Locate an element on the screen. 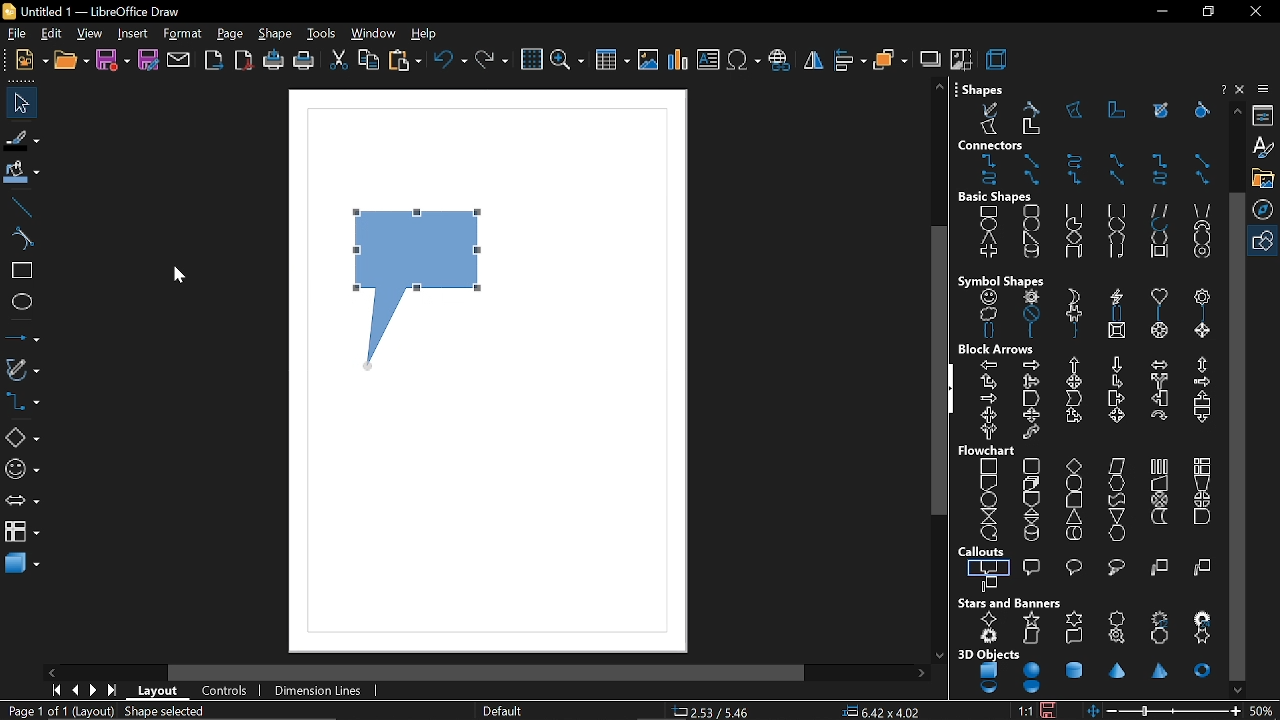 This screenshot has width=1280, height=720. circular arrow is located at coordinates (1158, 415).